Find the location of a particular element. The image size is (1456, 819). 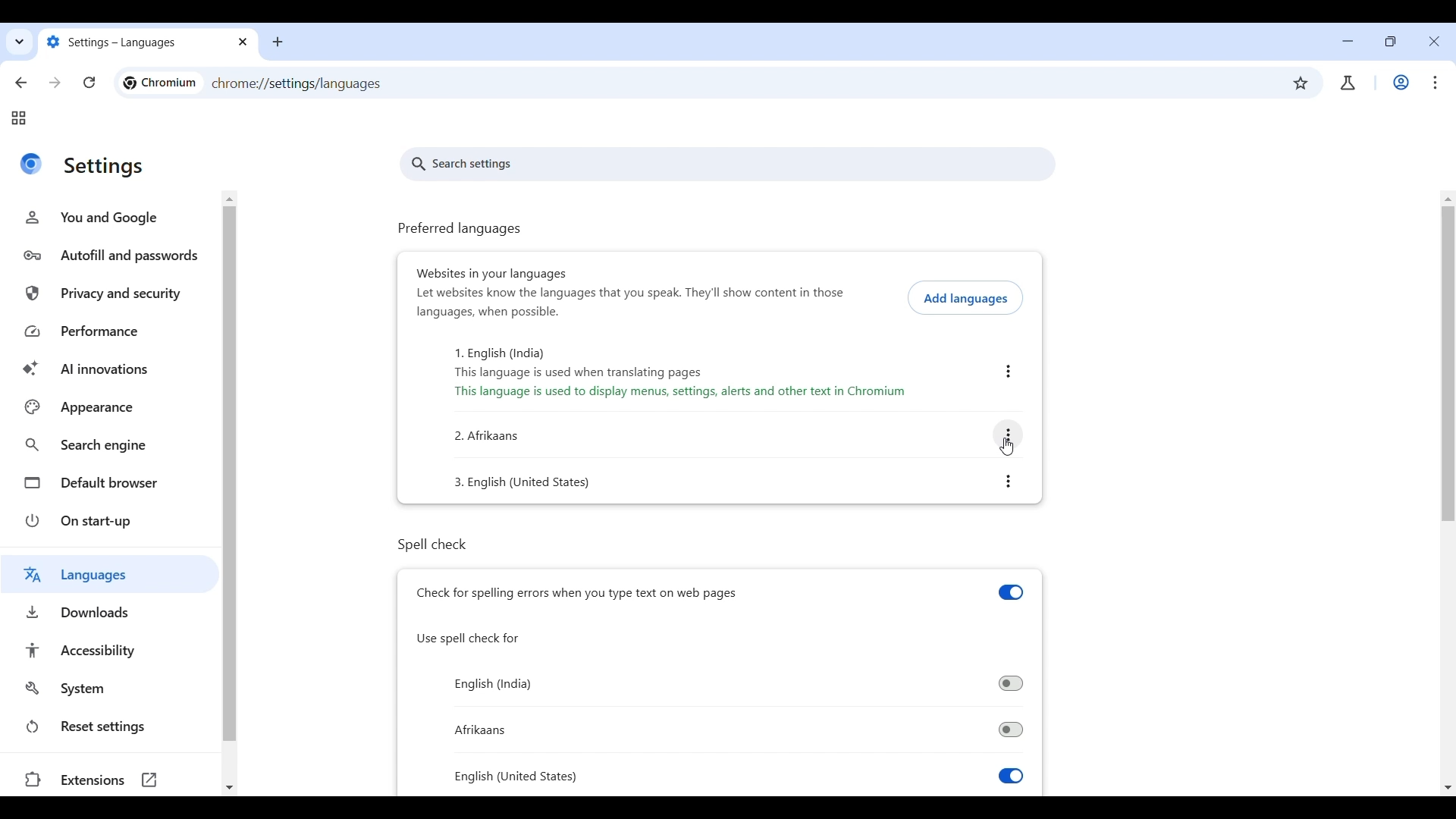

Minimize is located at coordinates (1348, 41).